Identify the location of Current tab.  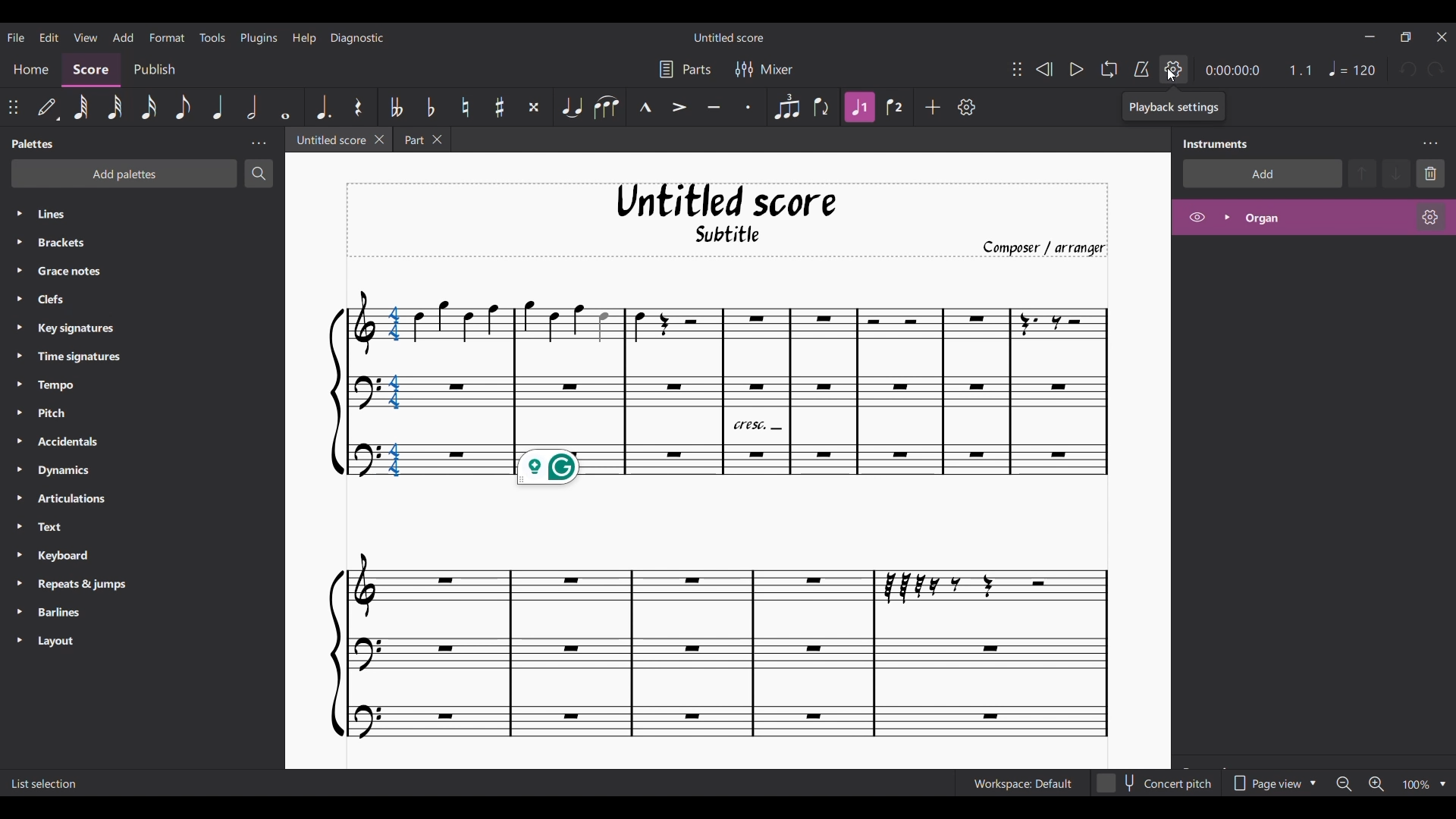
(329, 139).